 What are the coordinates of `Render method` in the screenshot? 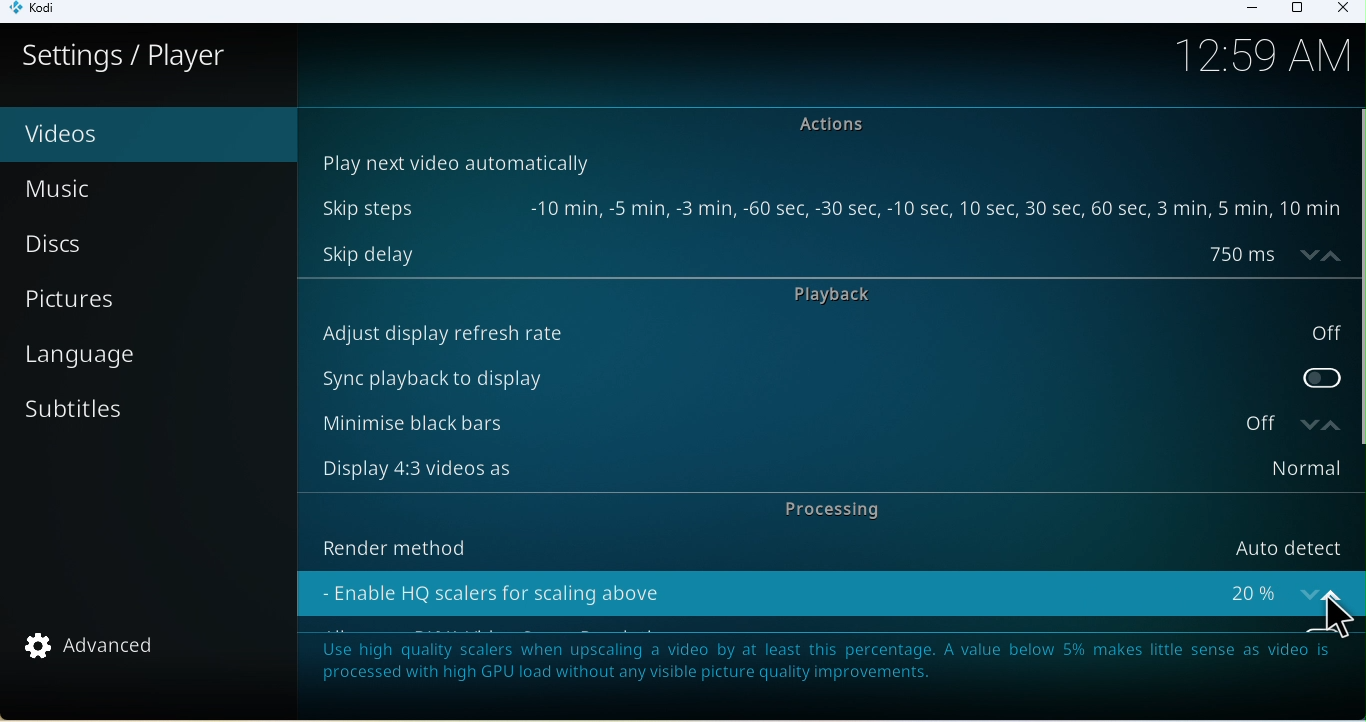 It's located at (822, 544).